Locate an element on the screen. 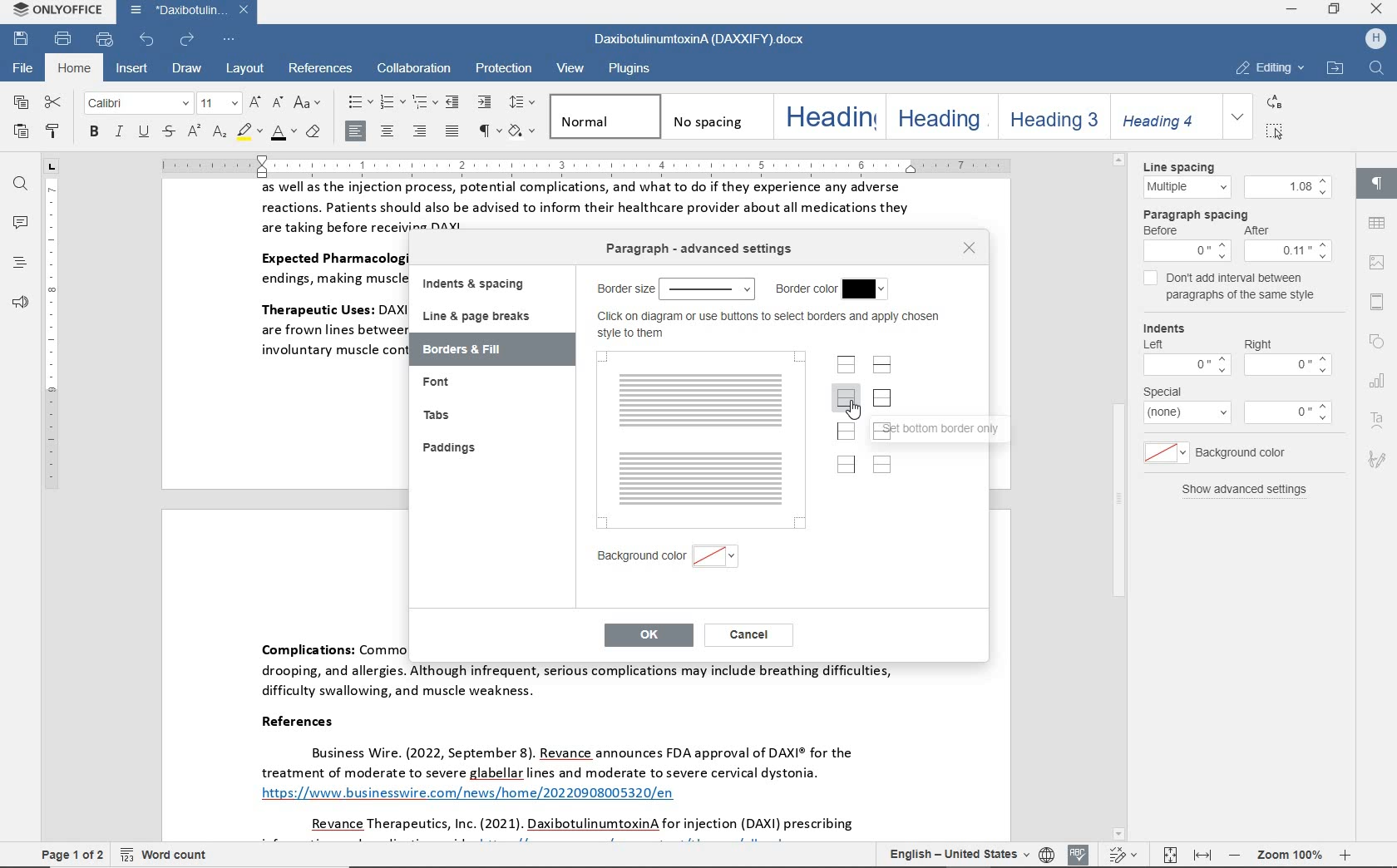 Image resolution: width=1397 pixels, height=868 pixels. find is located at coordinates (1375, 70).